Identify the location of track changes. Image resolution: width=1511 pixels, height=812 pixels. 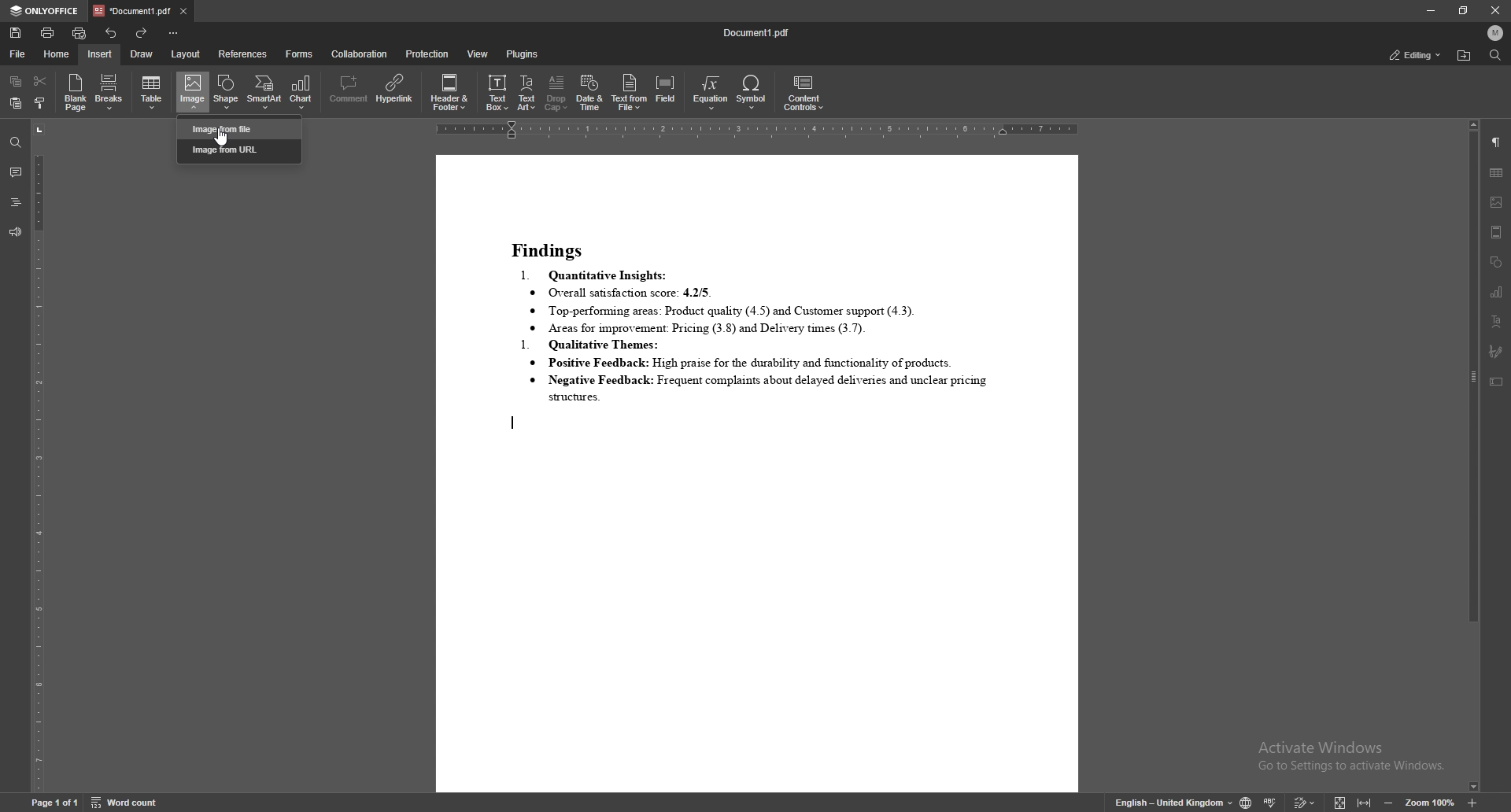
(1305, 802).